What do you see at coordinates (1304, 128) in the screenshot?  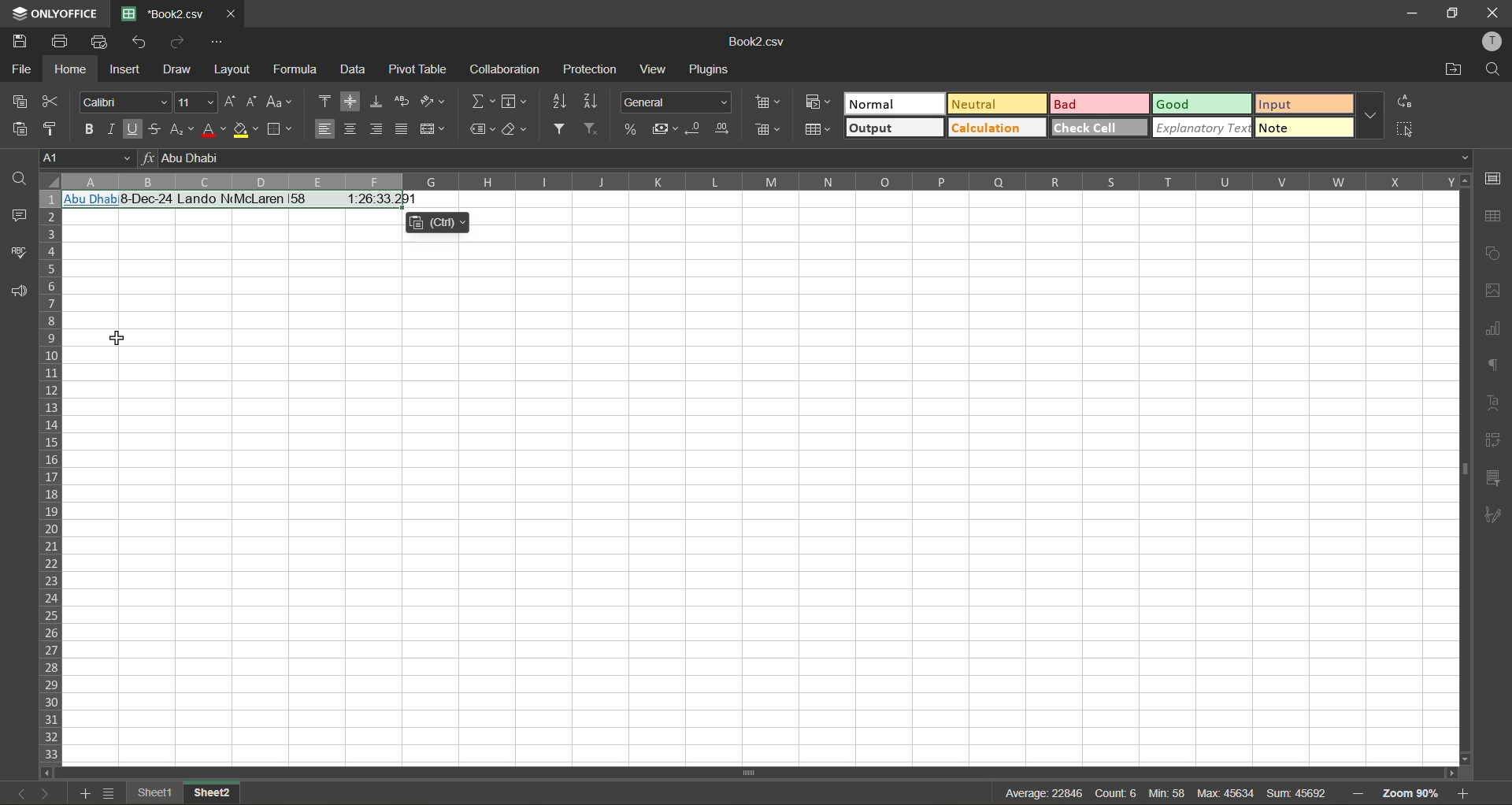 I see `note` at bounding box center [1304, 128].